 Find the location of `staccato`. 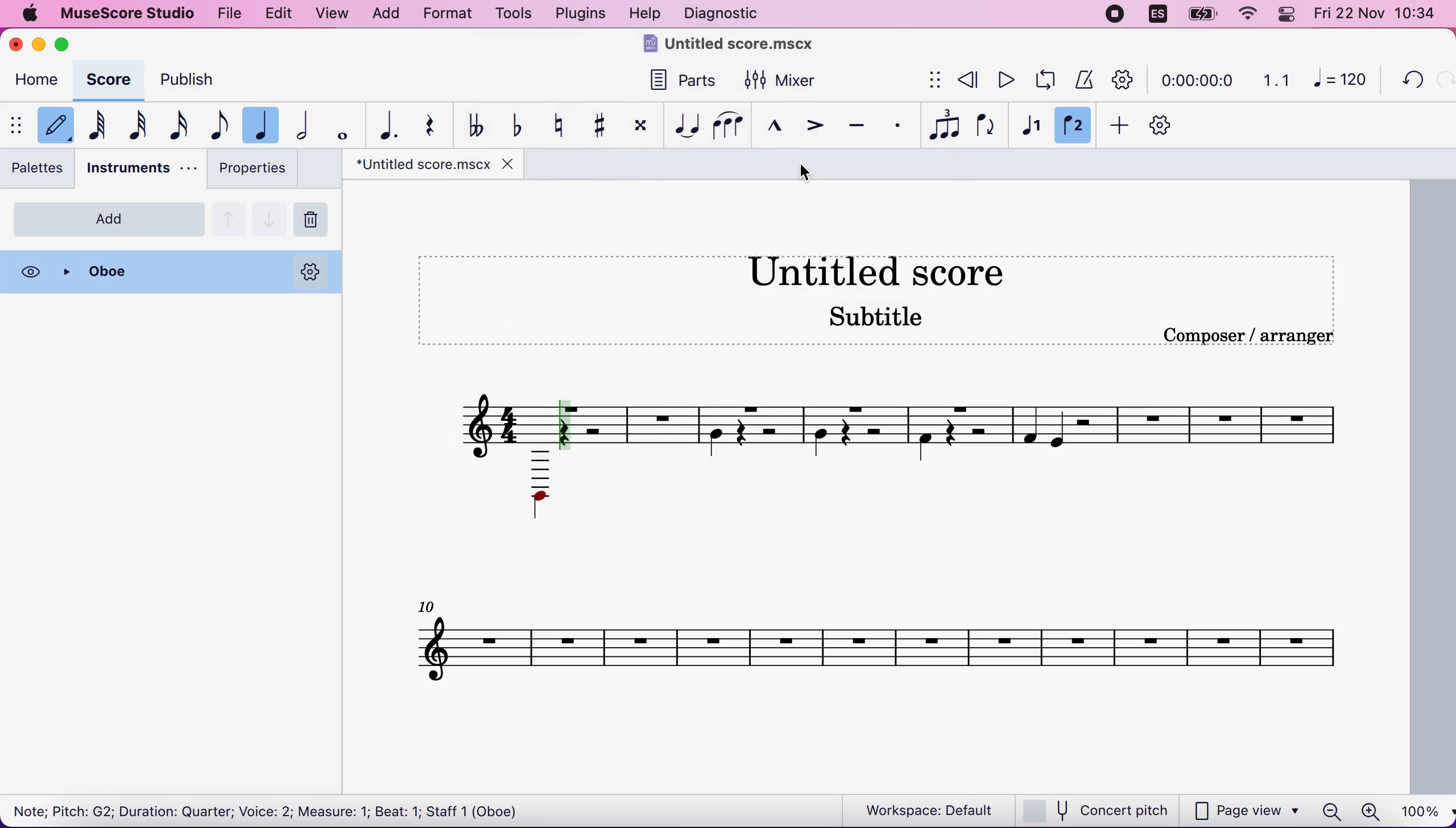

staccato is located at coordinates (895, 125).